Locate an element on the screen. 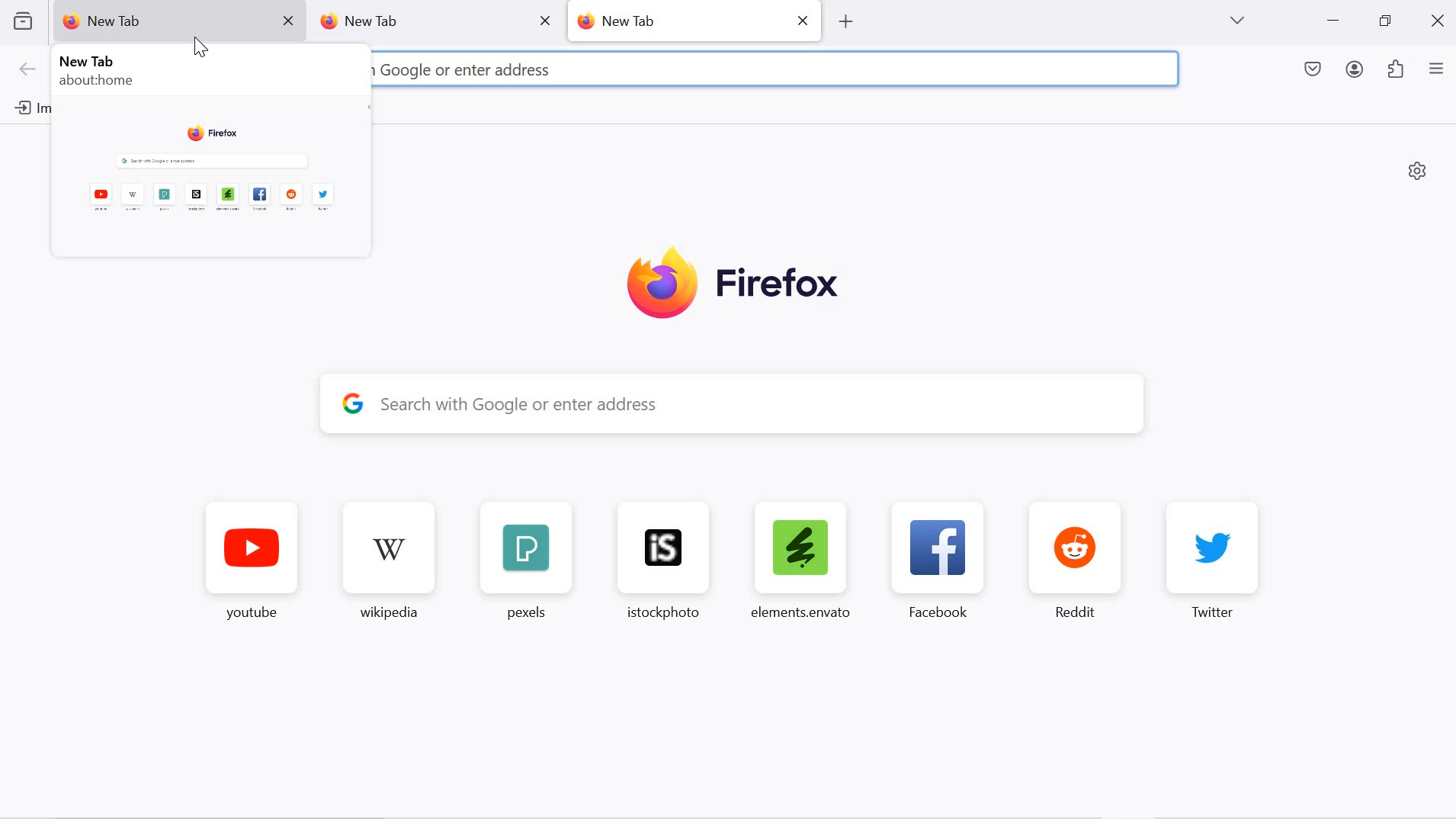 Image resolution: width=1456 pixels, height=819 pixels. close tab is located at coordinates (290, 21).